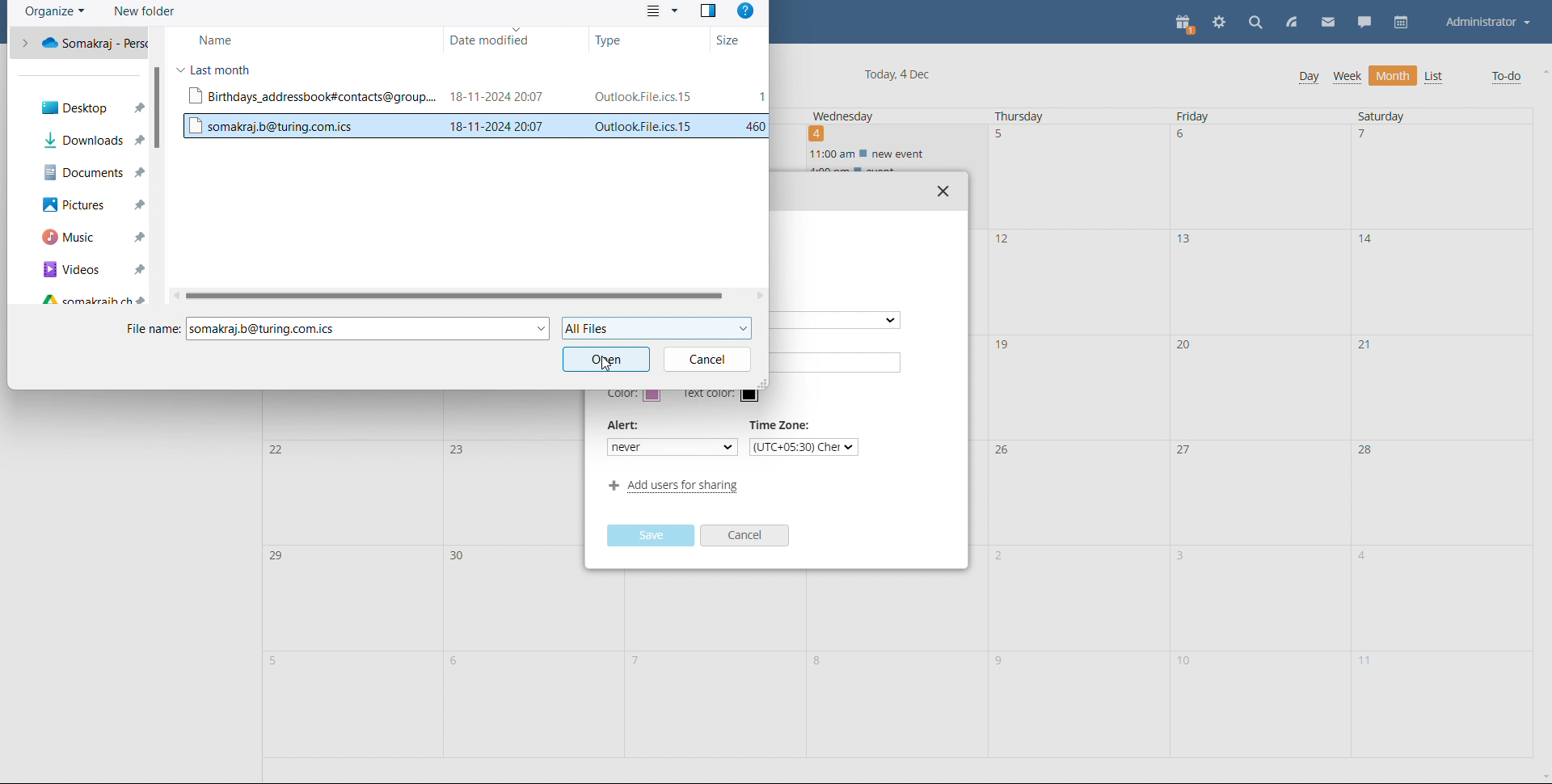 The height and width of the screenshot is (784, 1552). I want to click on select file type, so click(655, 329).